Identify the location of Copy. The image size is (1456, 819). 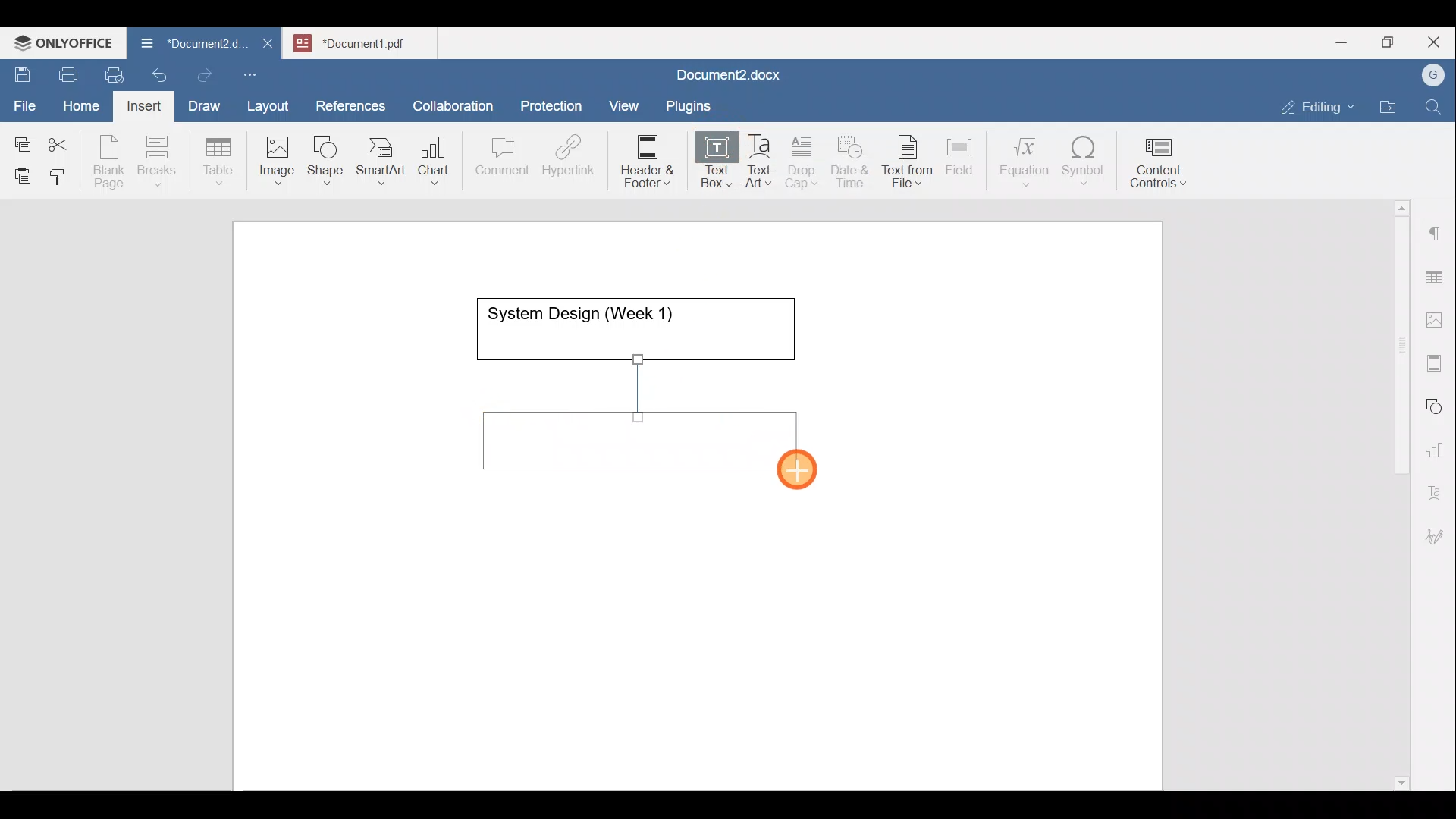
(20, 140).